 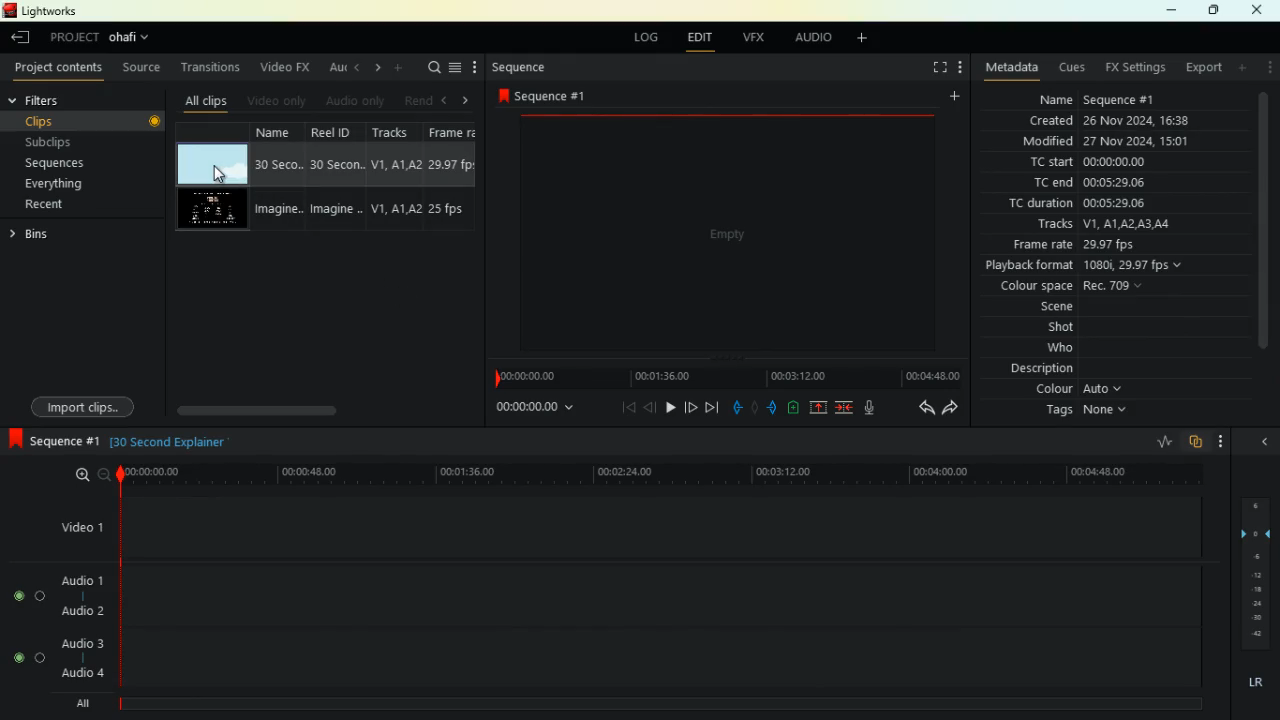 What do you see at coordinates (83, 581) in the screenshot?
I see `audio1` at bounding box center [83, 581].